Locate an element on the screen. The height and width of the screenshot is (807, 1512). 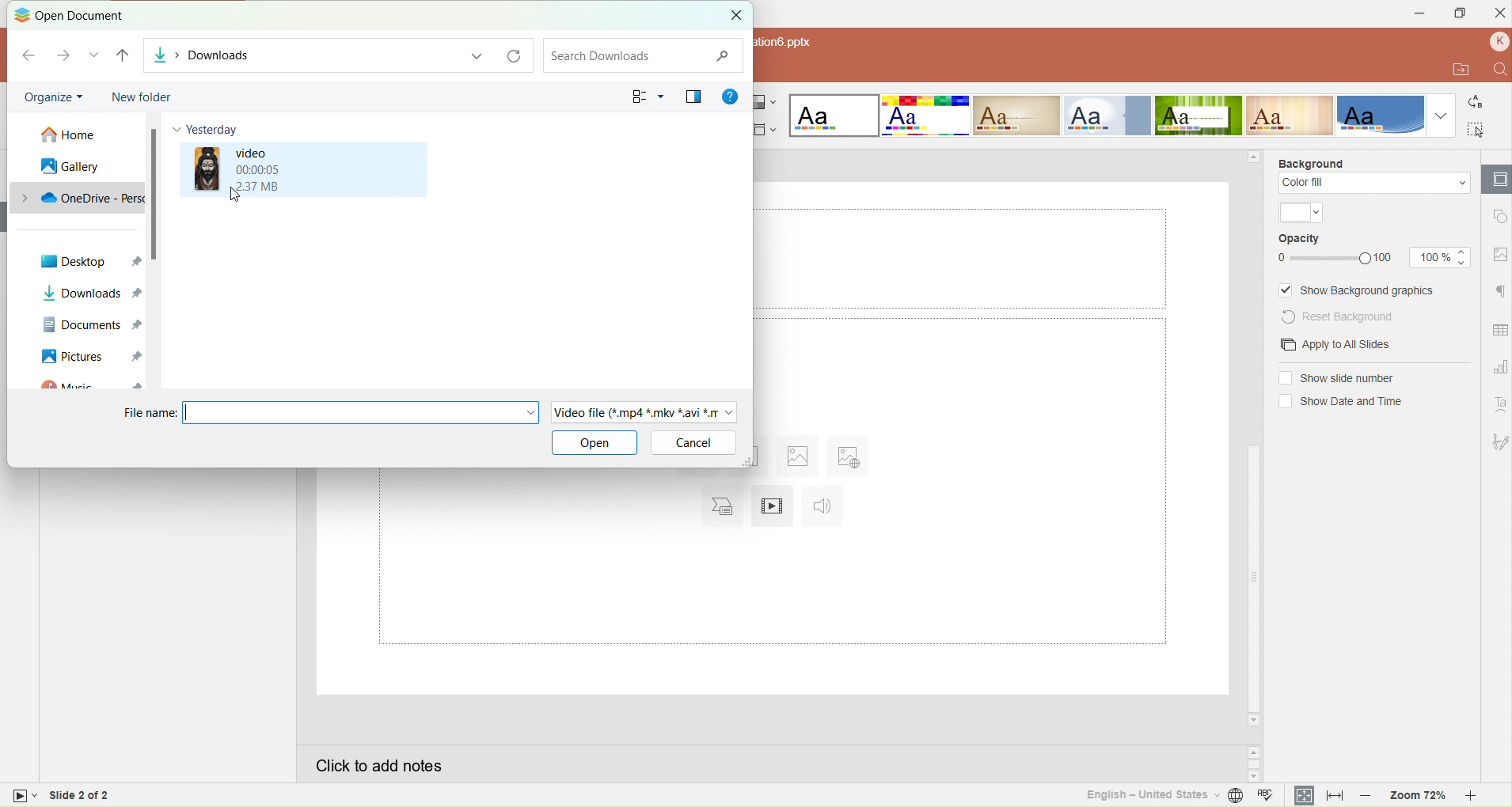
Downloads is located at coordinates (88, 294).